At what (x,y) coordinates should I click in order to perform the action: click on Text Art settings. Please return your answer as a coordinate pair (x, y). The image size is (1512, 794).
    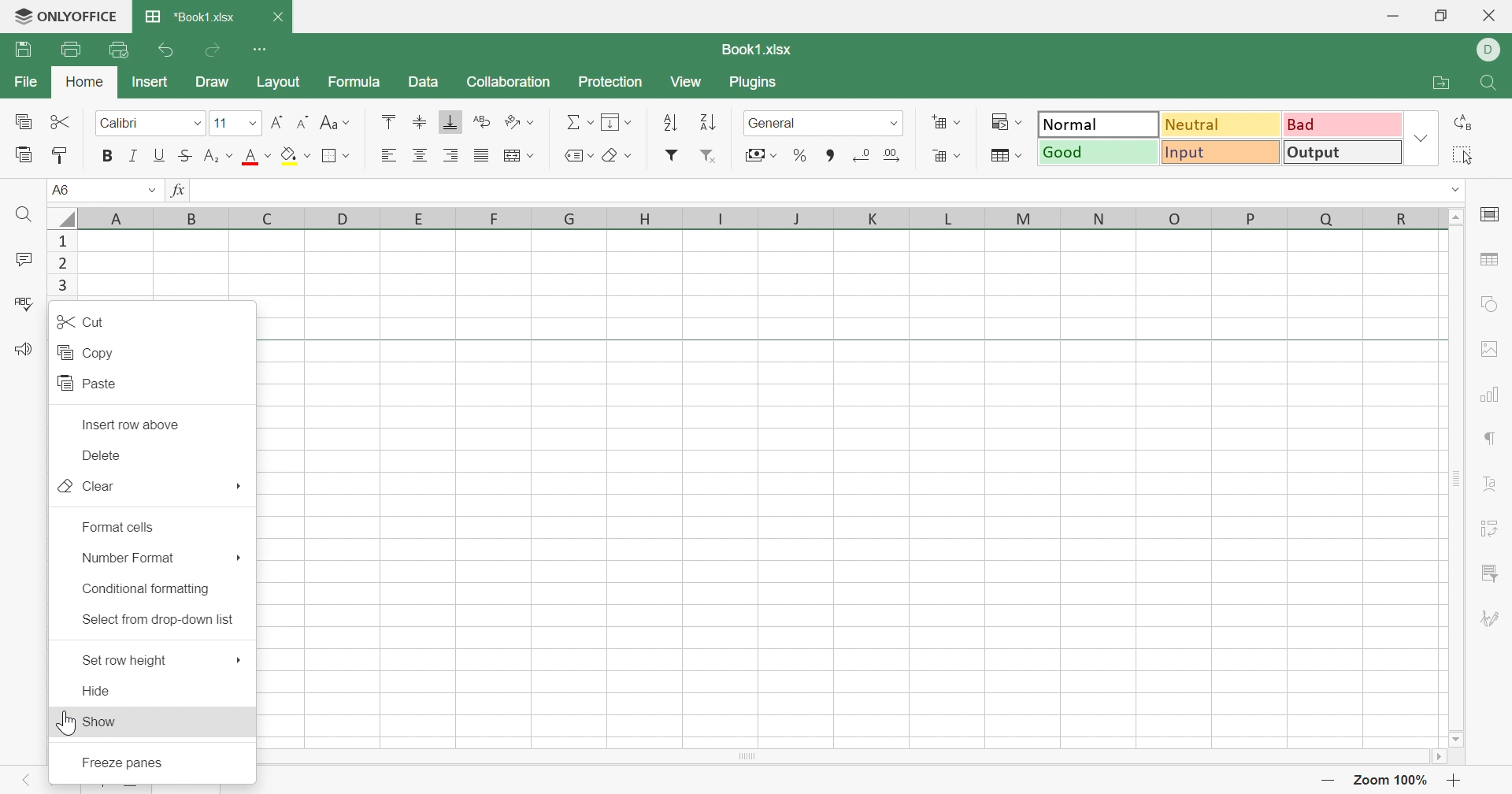
    Looking at the image, I should click on (1490, 486).